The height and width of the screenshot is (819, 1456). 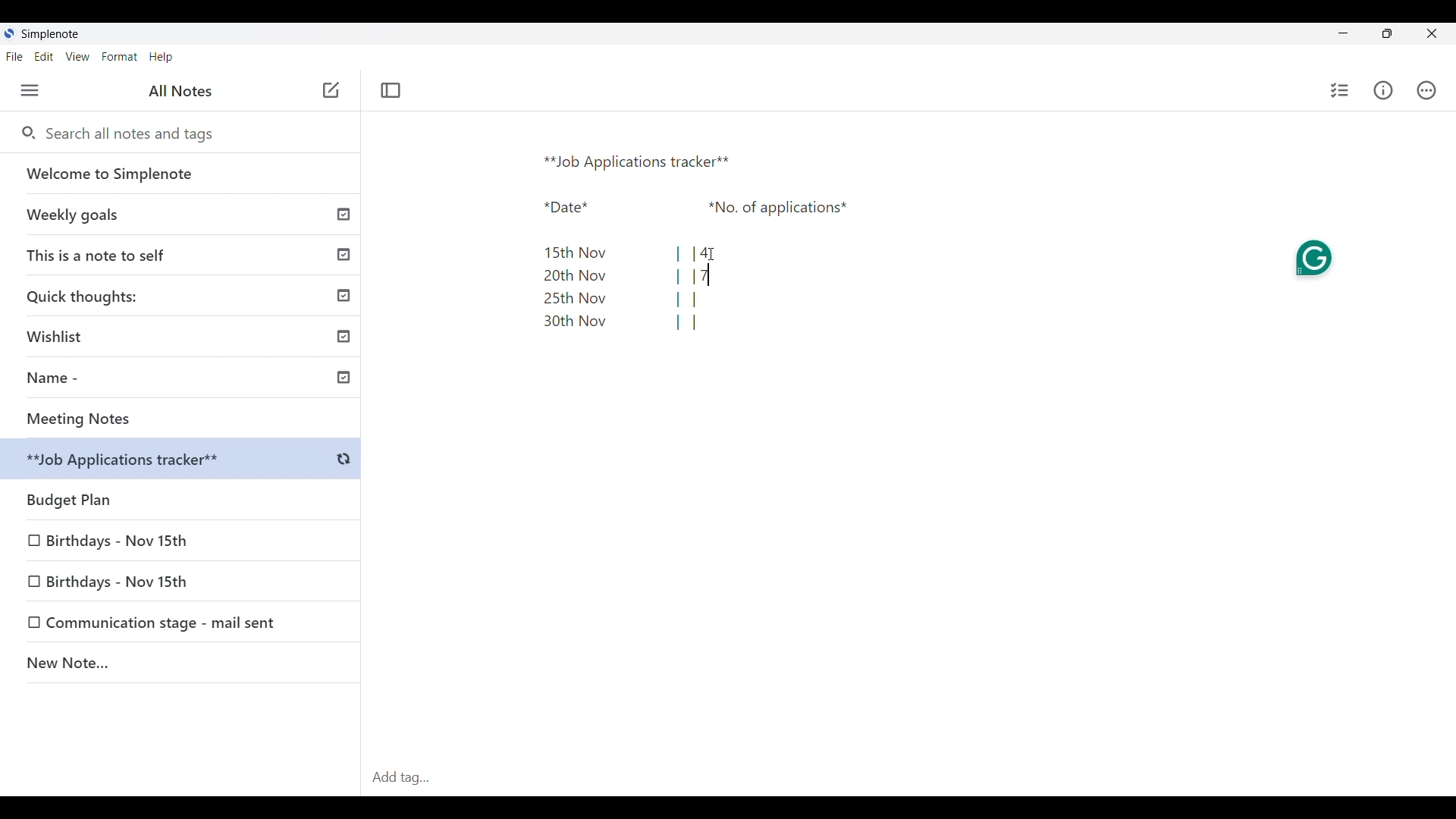 I want to click on Info, so click(x=1384, y=90).